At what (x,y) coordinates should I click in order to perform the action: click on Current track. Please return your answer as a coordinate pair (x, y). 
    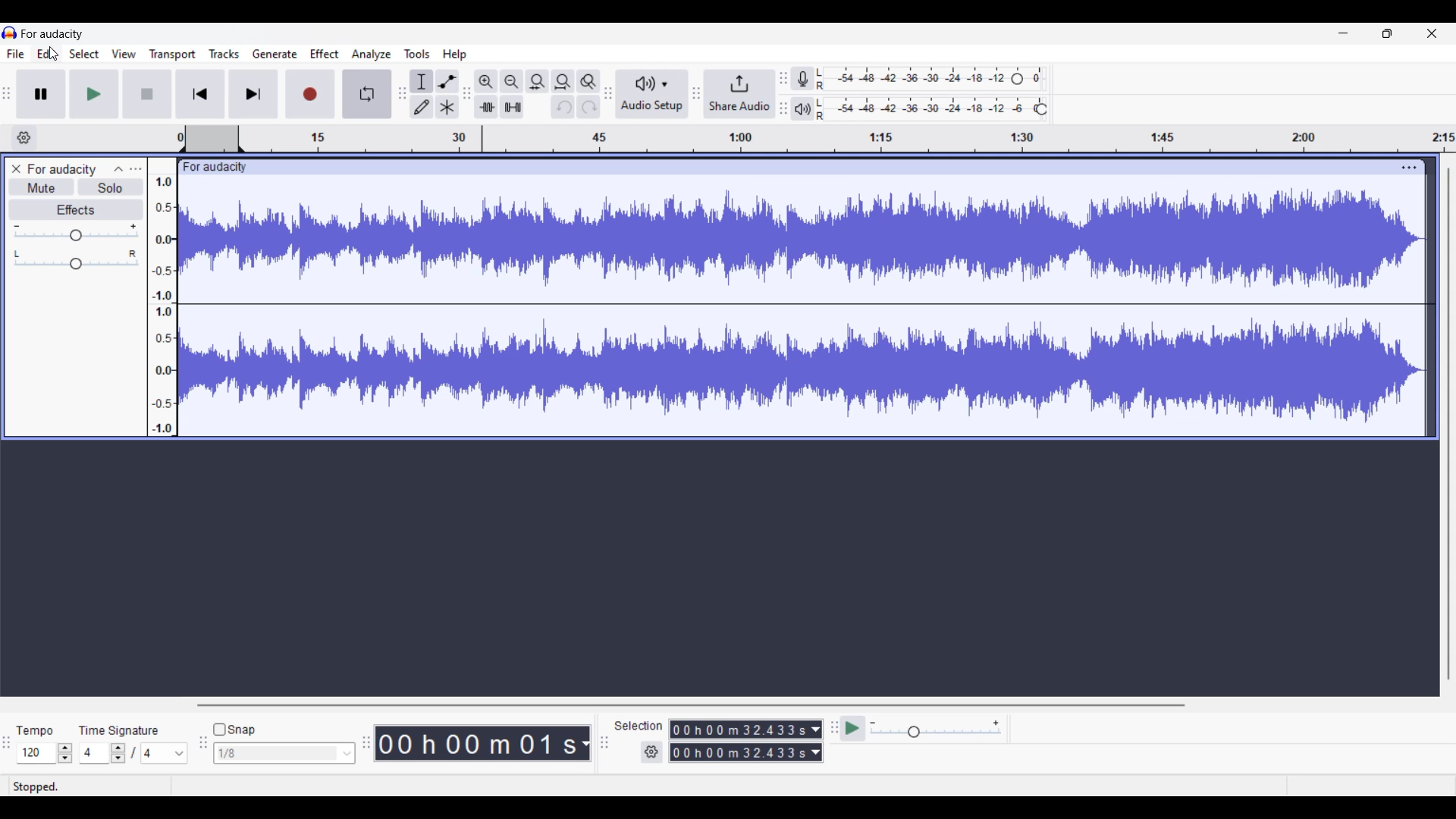
    Looking at the image, I should click on (789, 297).